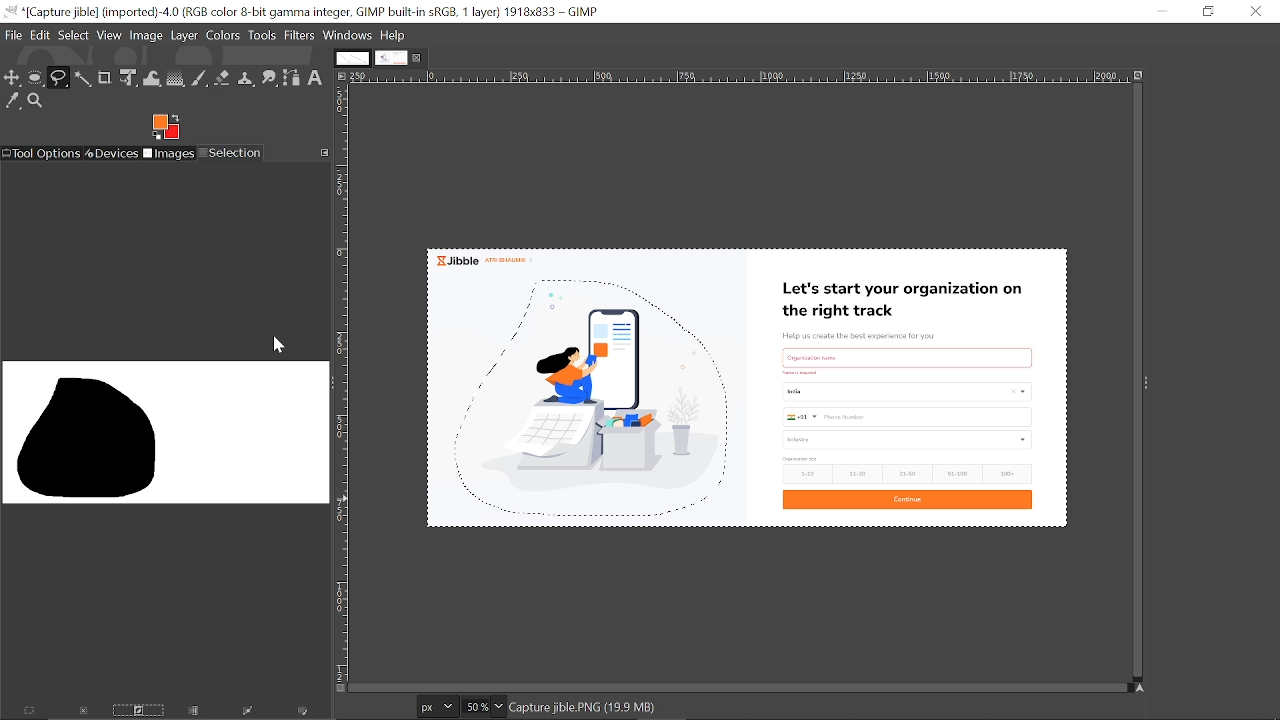  What do you see at coordinates (740, 79) in the screenshot?
I see `Horizontal label` at bounding box center [740, 79].